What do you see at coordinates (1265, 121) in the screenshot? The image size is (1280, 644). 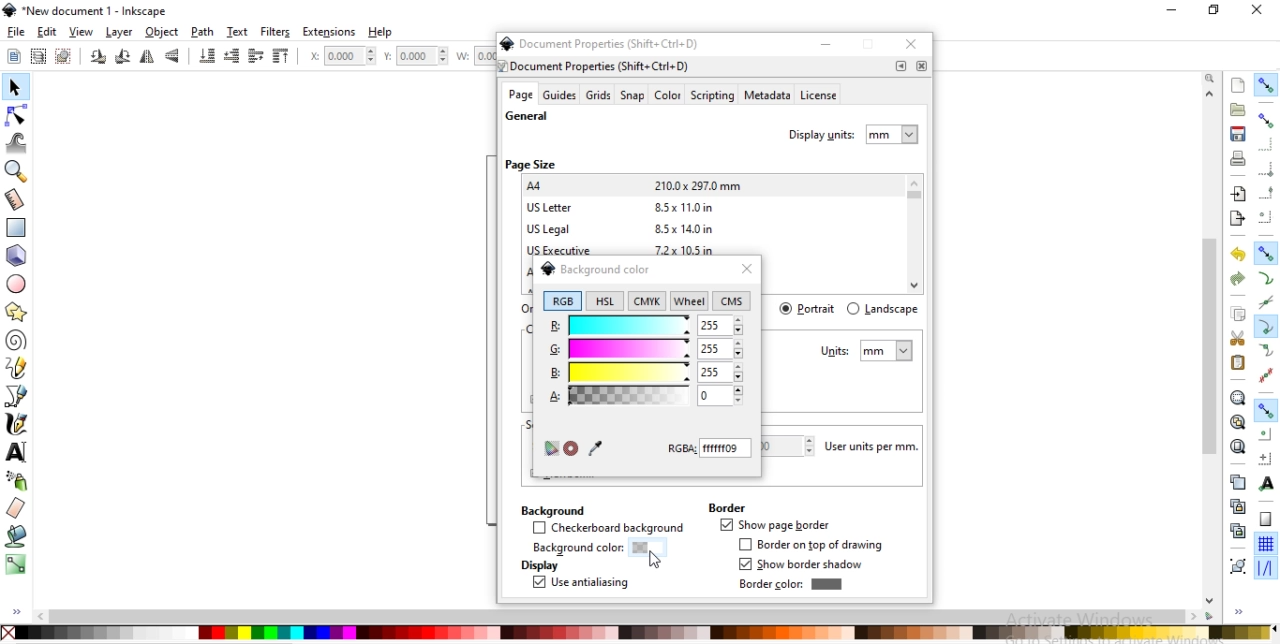 I see `snap boundinng boxes` at bounding box center [1265, 121].